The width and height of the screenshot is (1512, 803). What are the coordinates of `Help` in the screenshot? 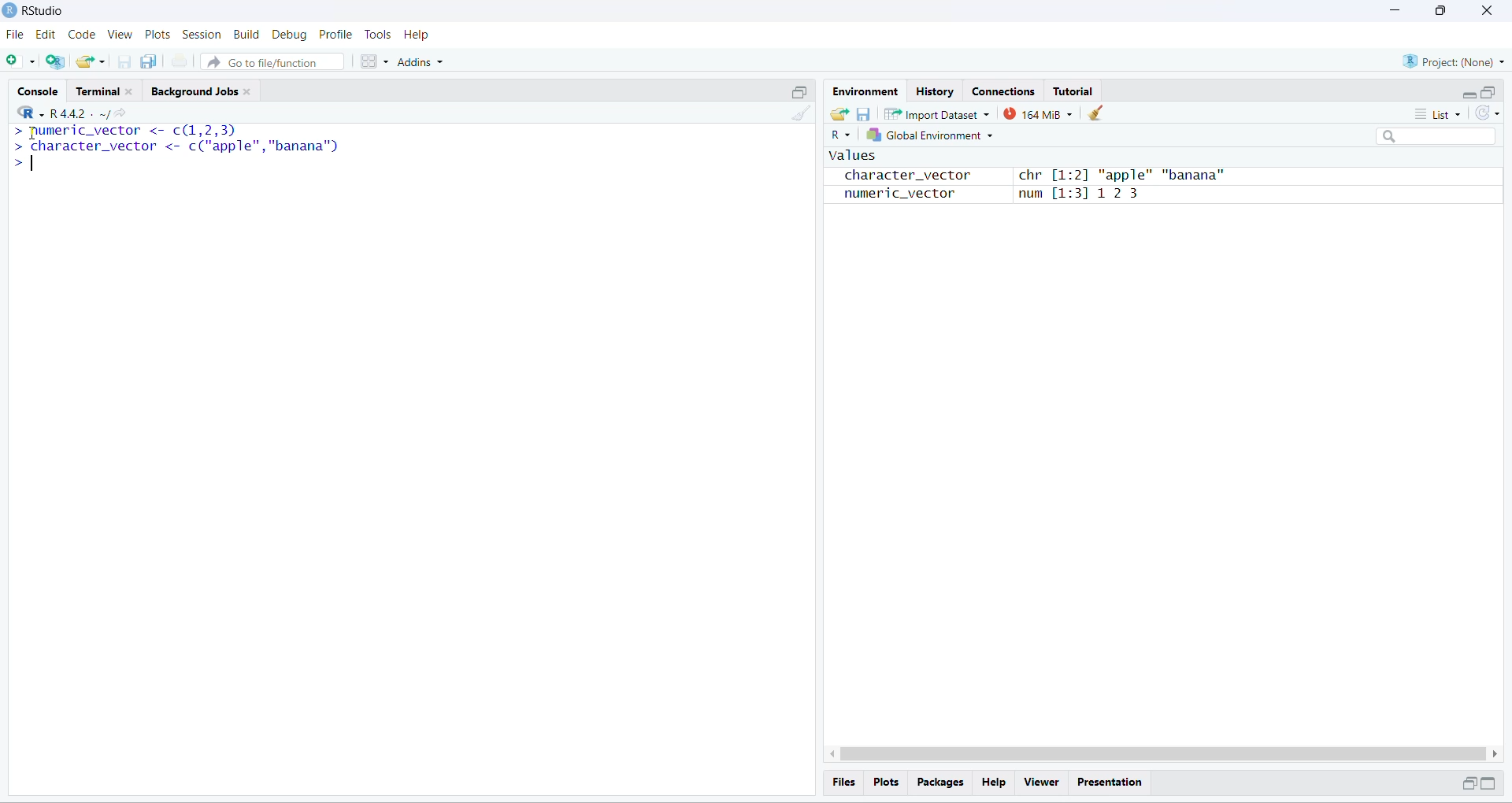 It's located at (993, 783).